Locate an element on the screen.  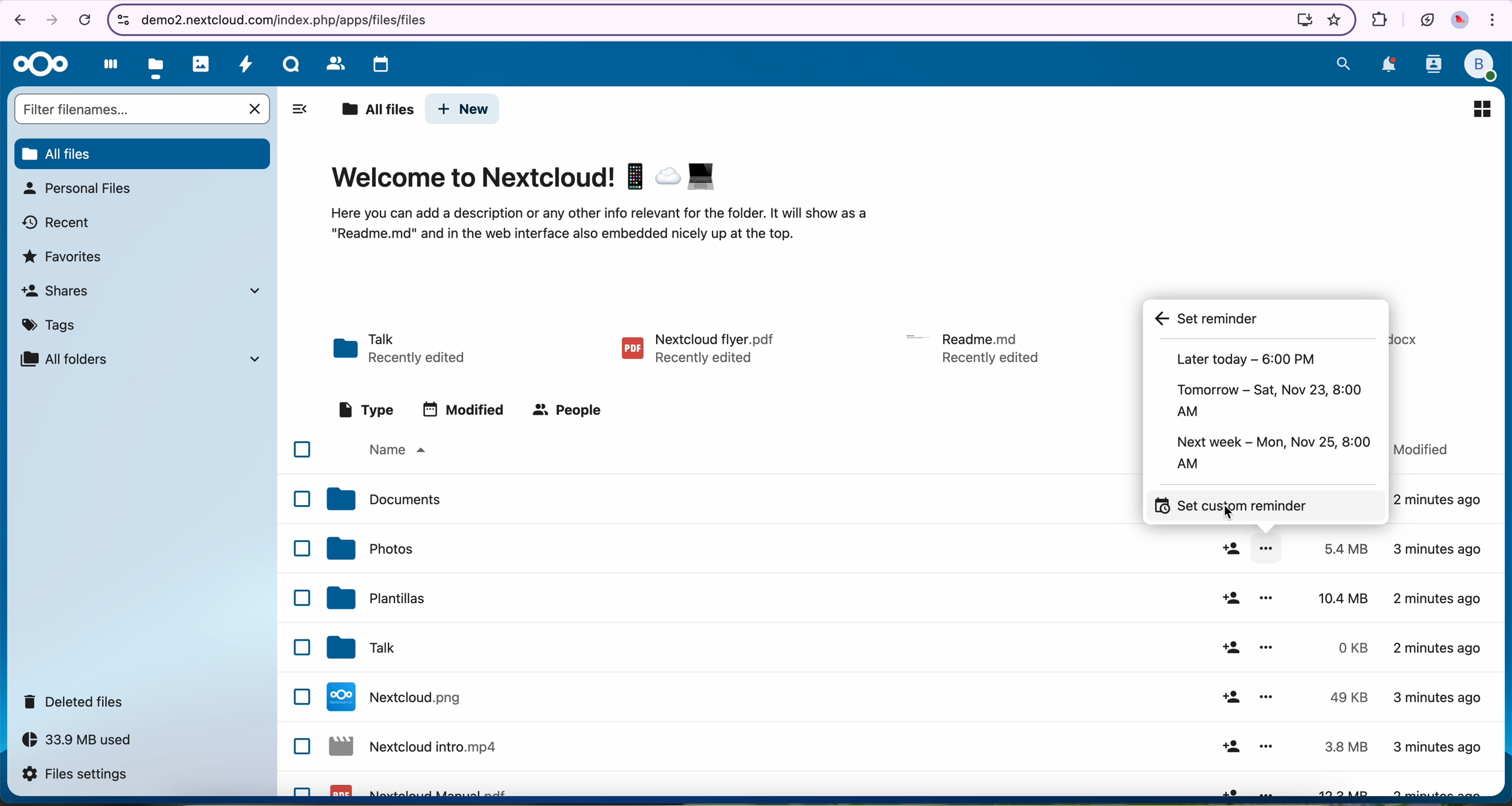
all files is located at coordinates (374, 109).